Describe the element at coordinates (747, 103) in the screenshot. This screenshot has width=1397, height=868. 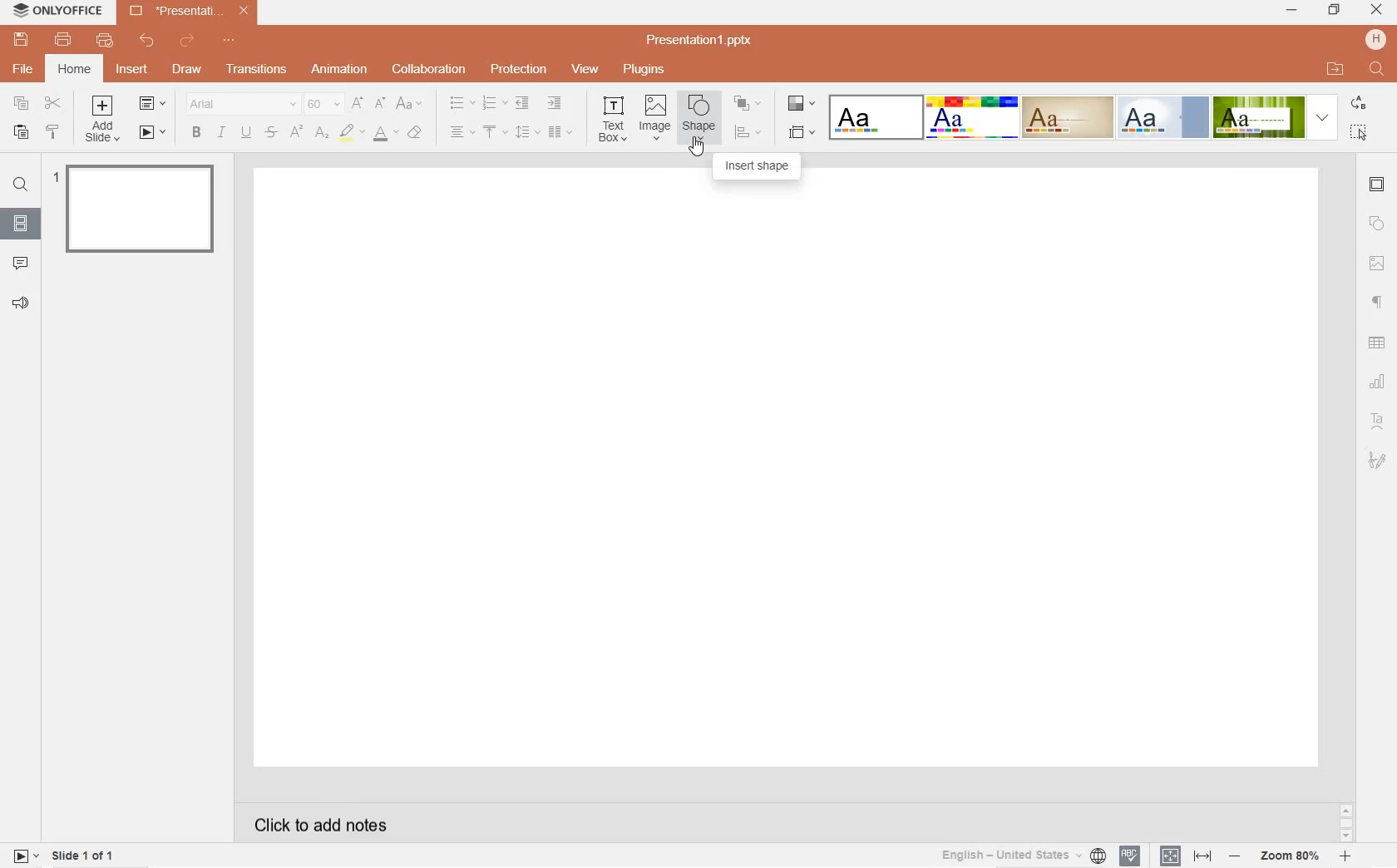
I see `arrange shape` at that location.